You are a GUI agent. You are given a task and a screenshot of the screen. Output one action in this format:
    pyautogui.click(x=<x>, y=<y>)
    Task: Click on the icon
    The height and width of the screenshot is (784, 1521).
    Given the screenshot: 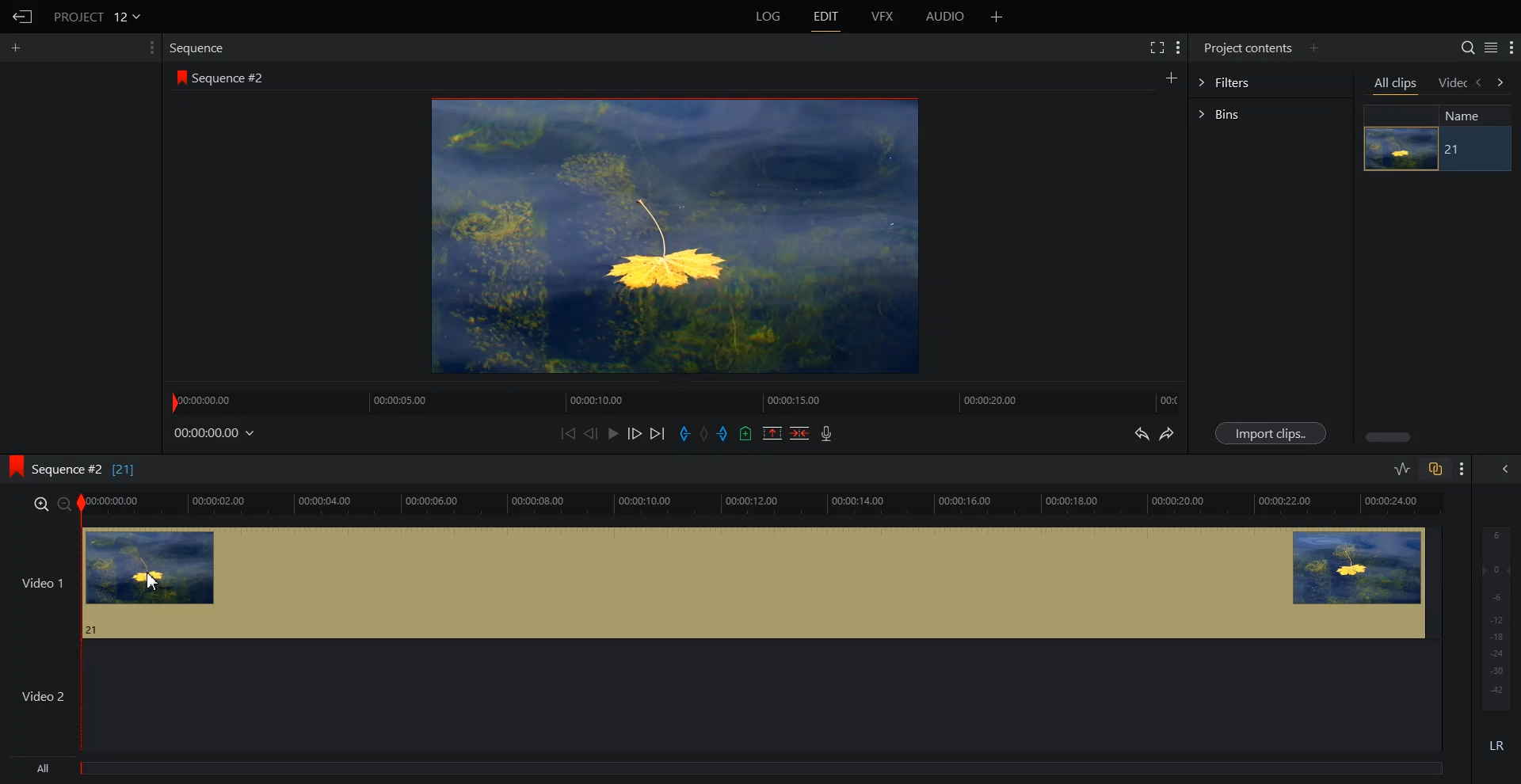 What is the action you would take?
    pyautogui.click(x=182, y=79)
    